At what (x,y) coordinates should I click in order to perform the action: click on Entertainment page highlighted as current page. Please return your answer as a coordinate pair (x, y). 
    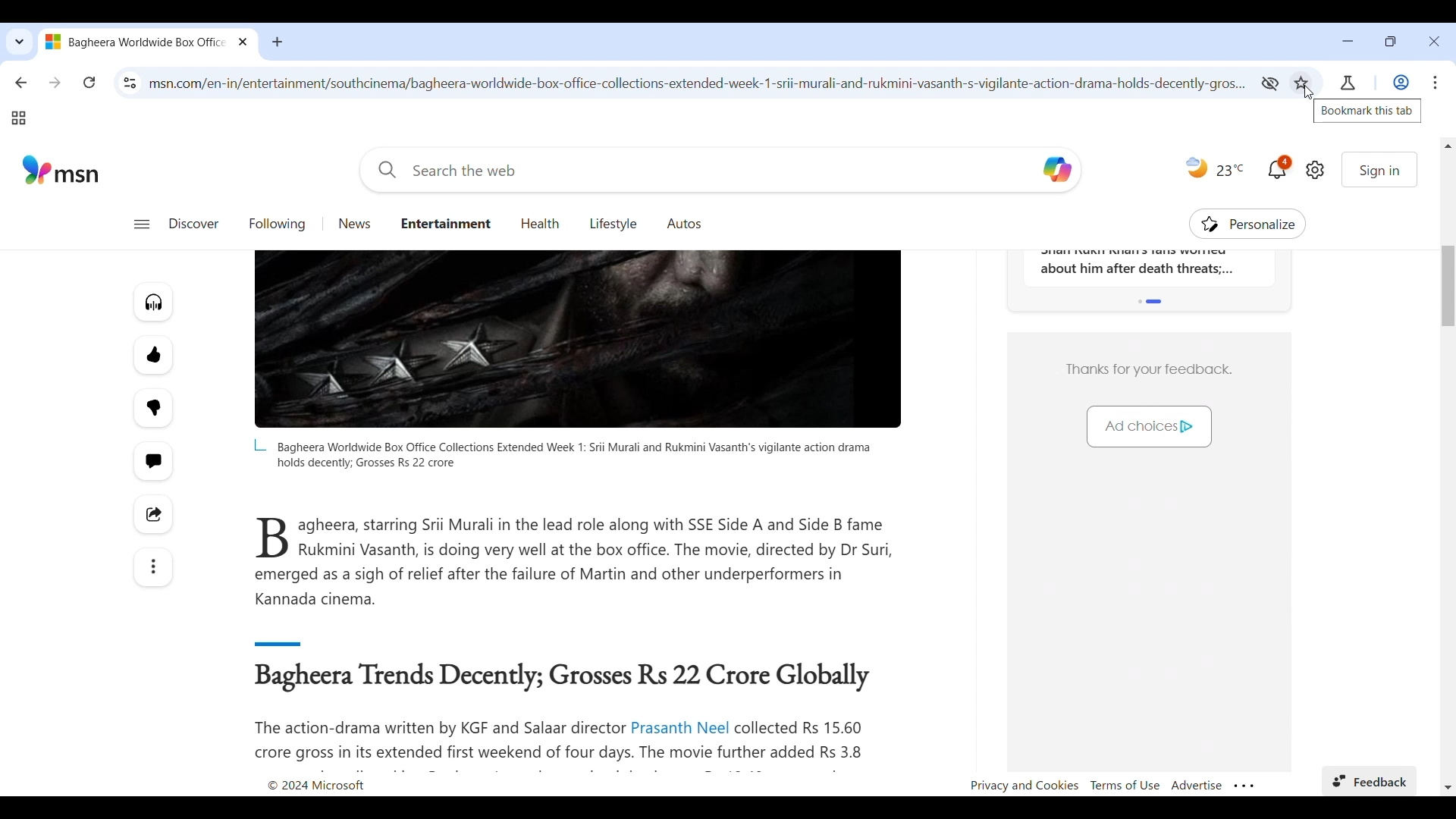
    Looking at the image, I should click on (445, 222).